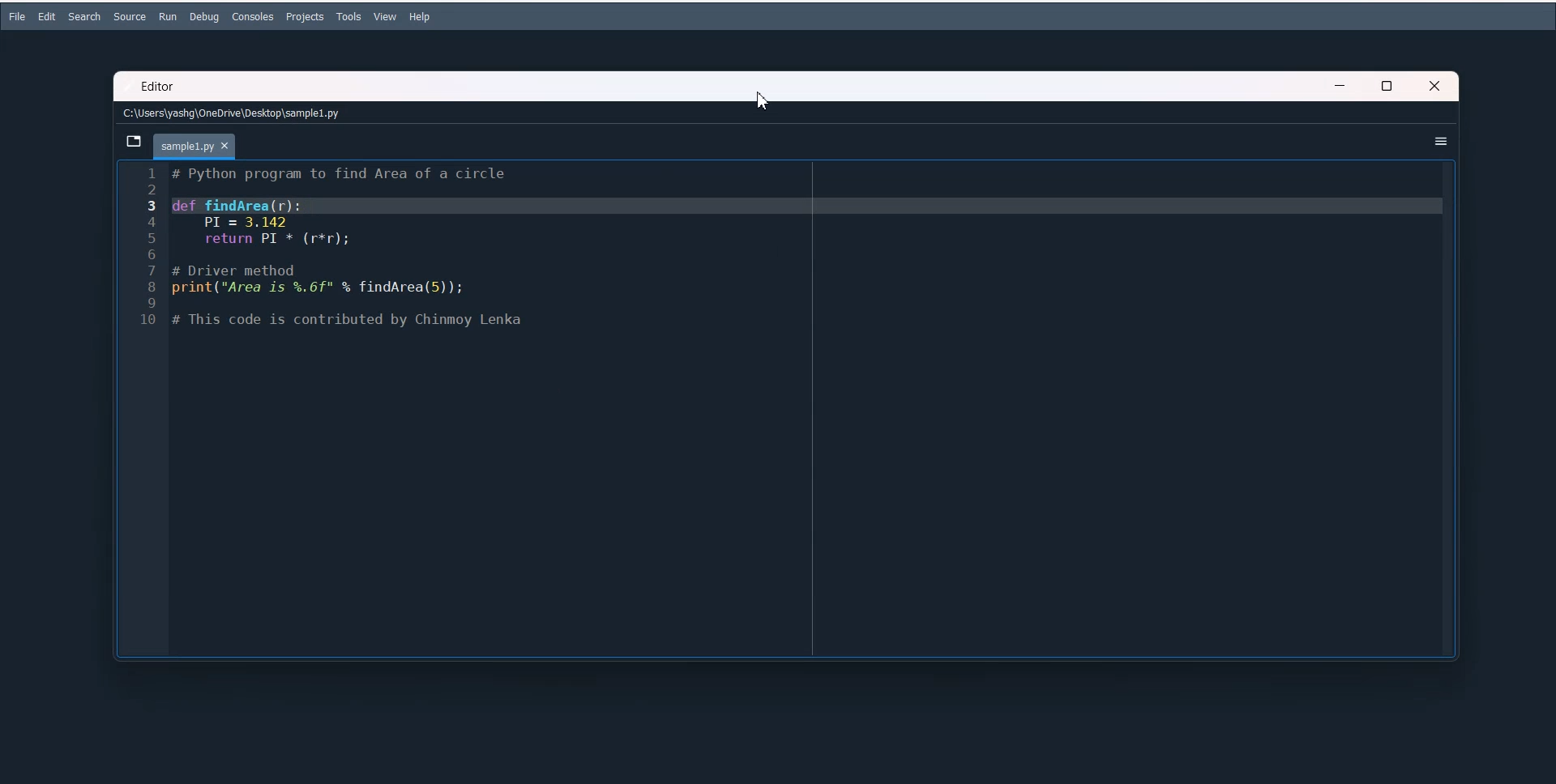  Describe the element at coordinates (231, 114) in the screenshot. I see `File Path address` at that location.